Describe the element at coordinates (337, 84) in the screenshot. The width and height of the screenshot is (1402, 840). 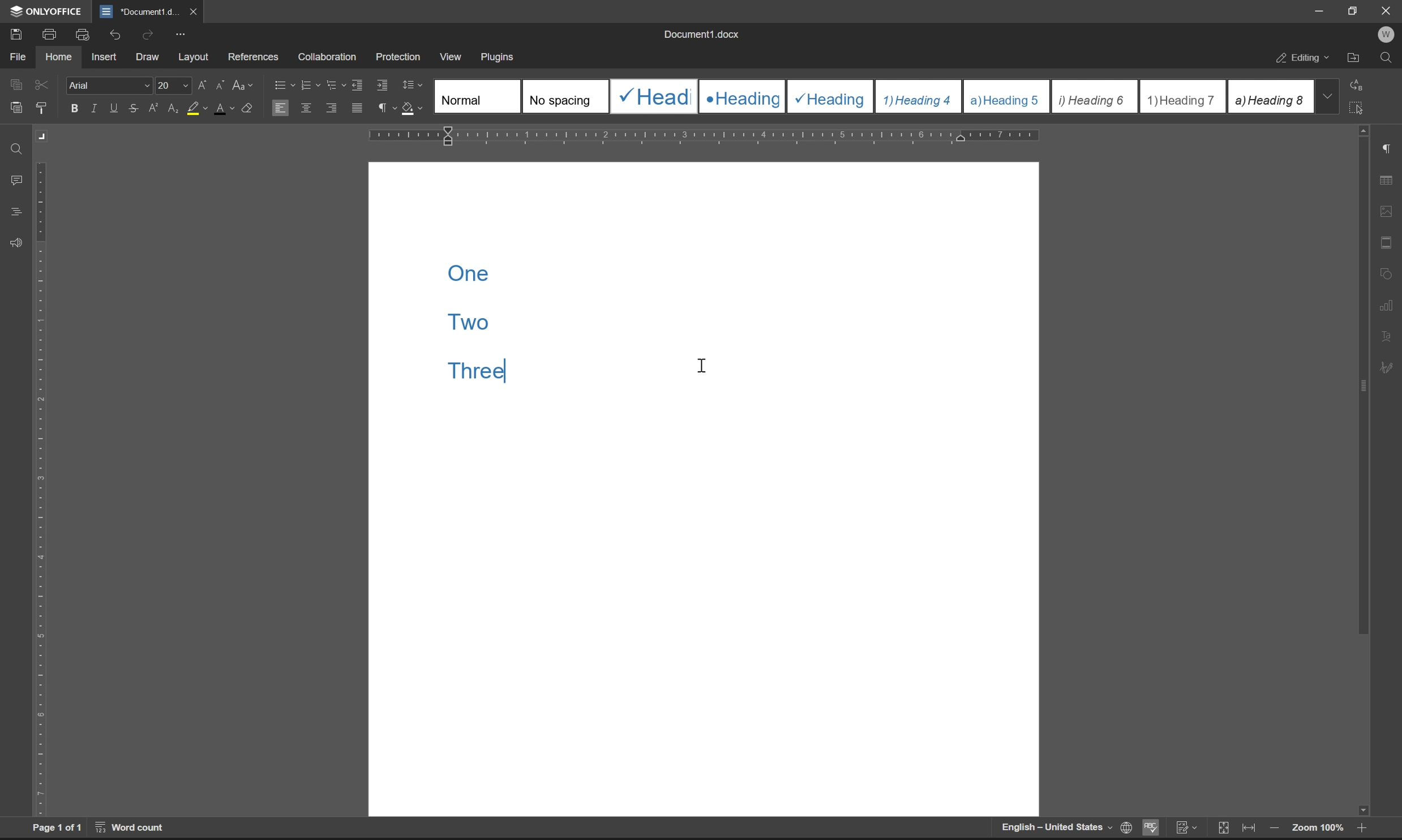
I see `multilevel list` at that location.